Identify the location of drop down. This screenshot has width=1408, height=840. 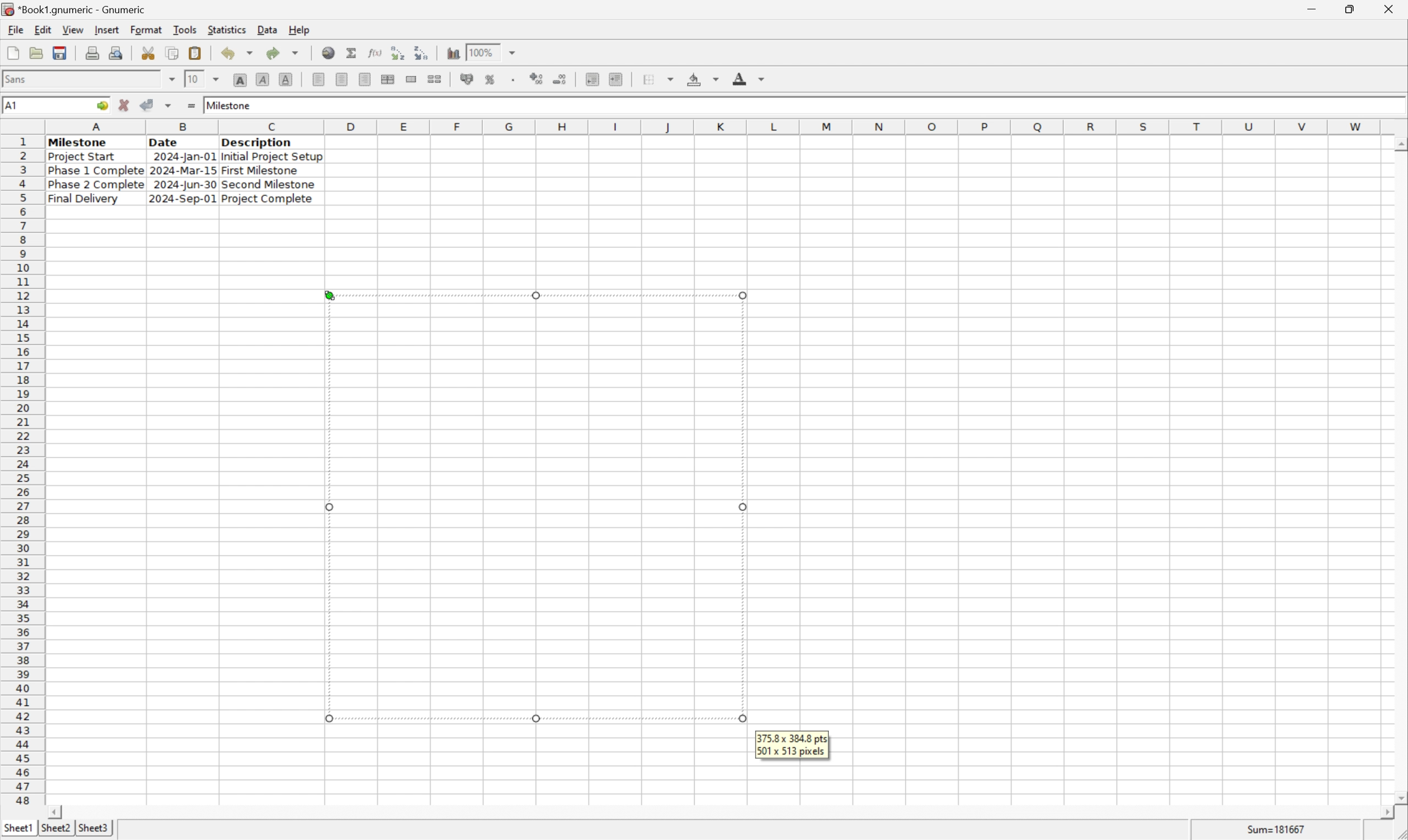
(513, 52).